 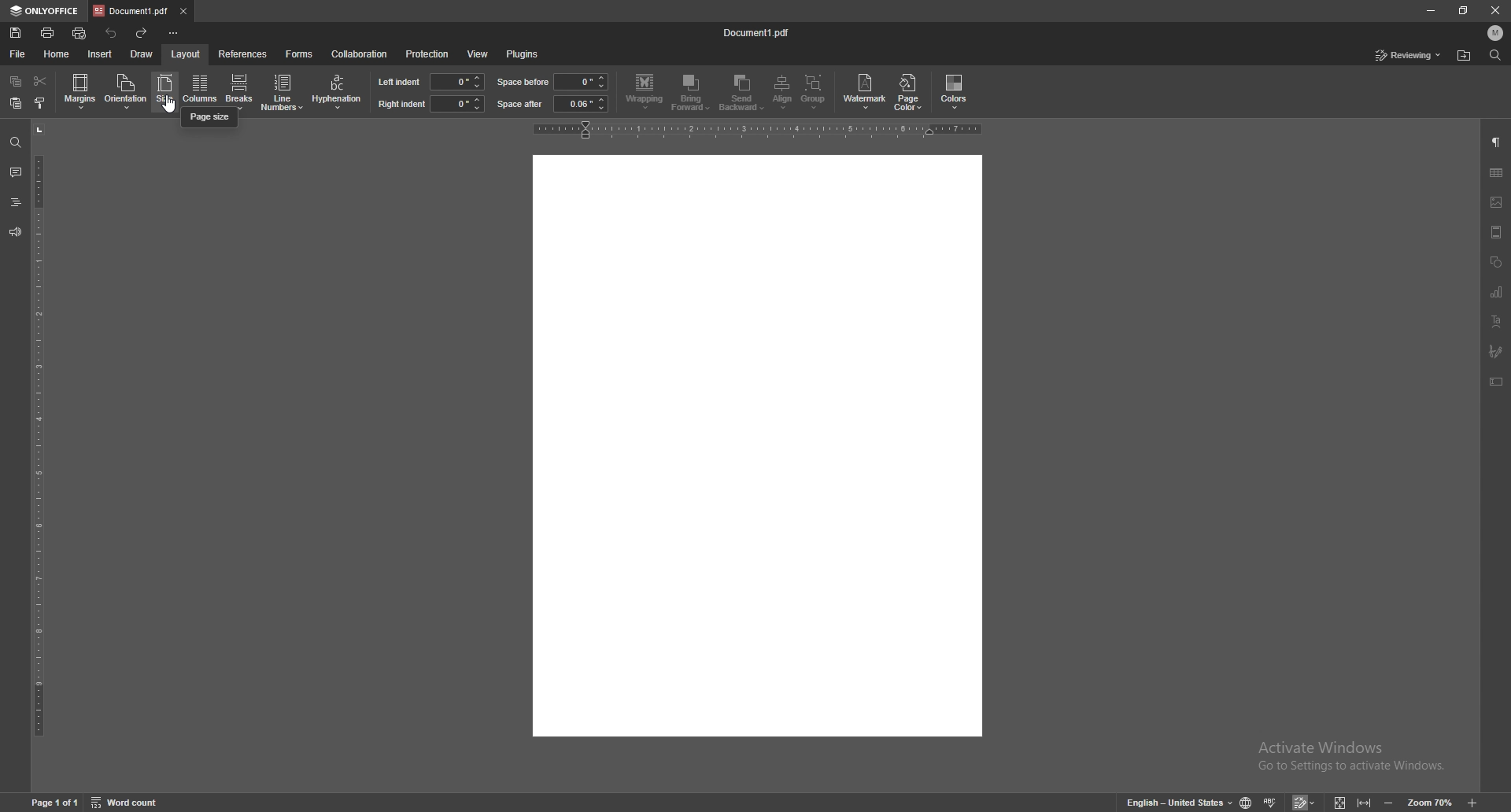 What do you see at coordinates (579, 82) in the screenshot?
I see `input space before` at bounding box center [579, 82].